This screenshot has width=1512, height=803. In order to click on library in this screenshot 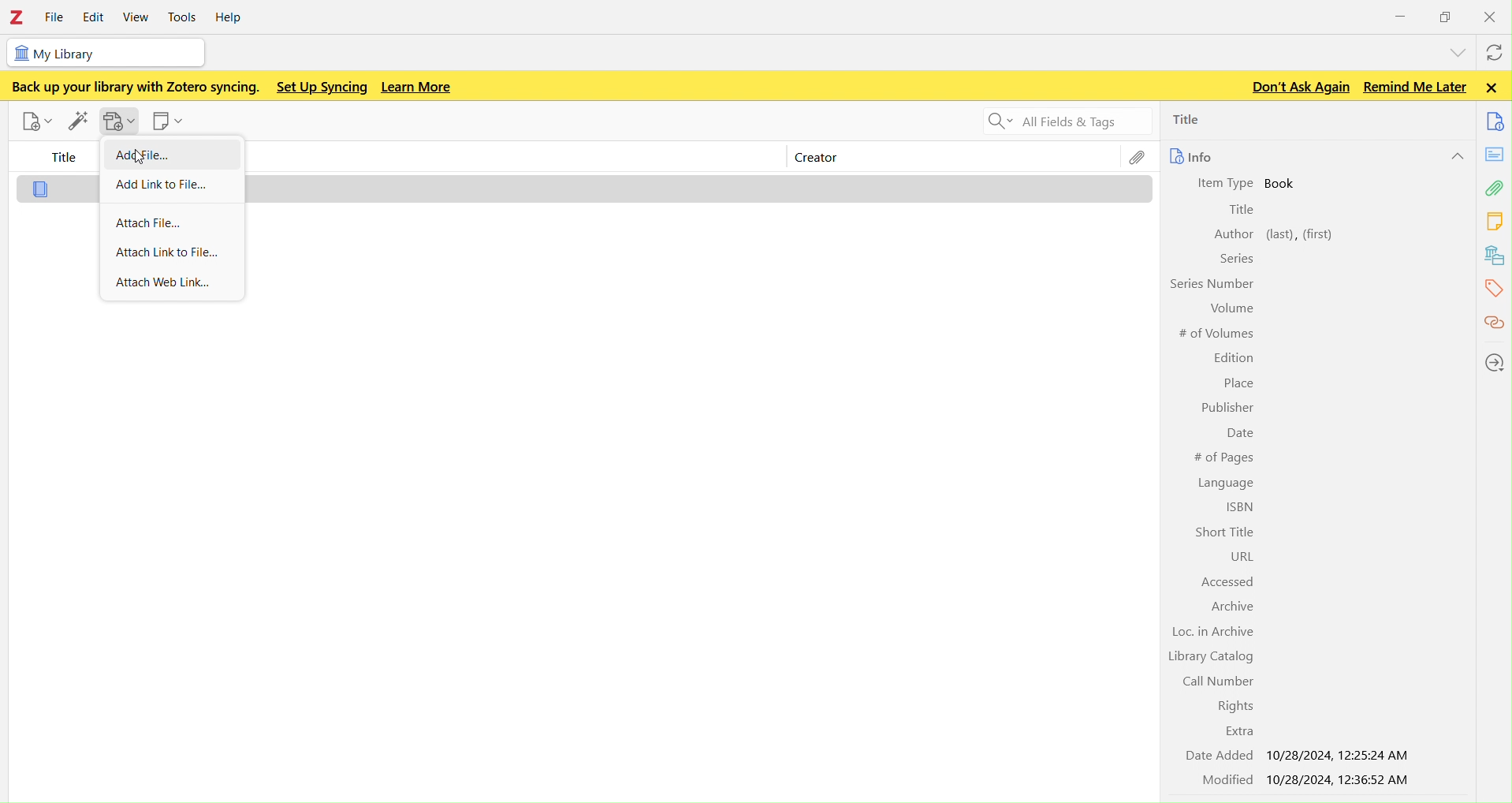, I will do `click(1497, 256)`.